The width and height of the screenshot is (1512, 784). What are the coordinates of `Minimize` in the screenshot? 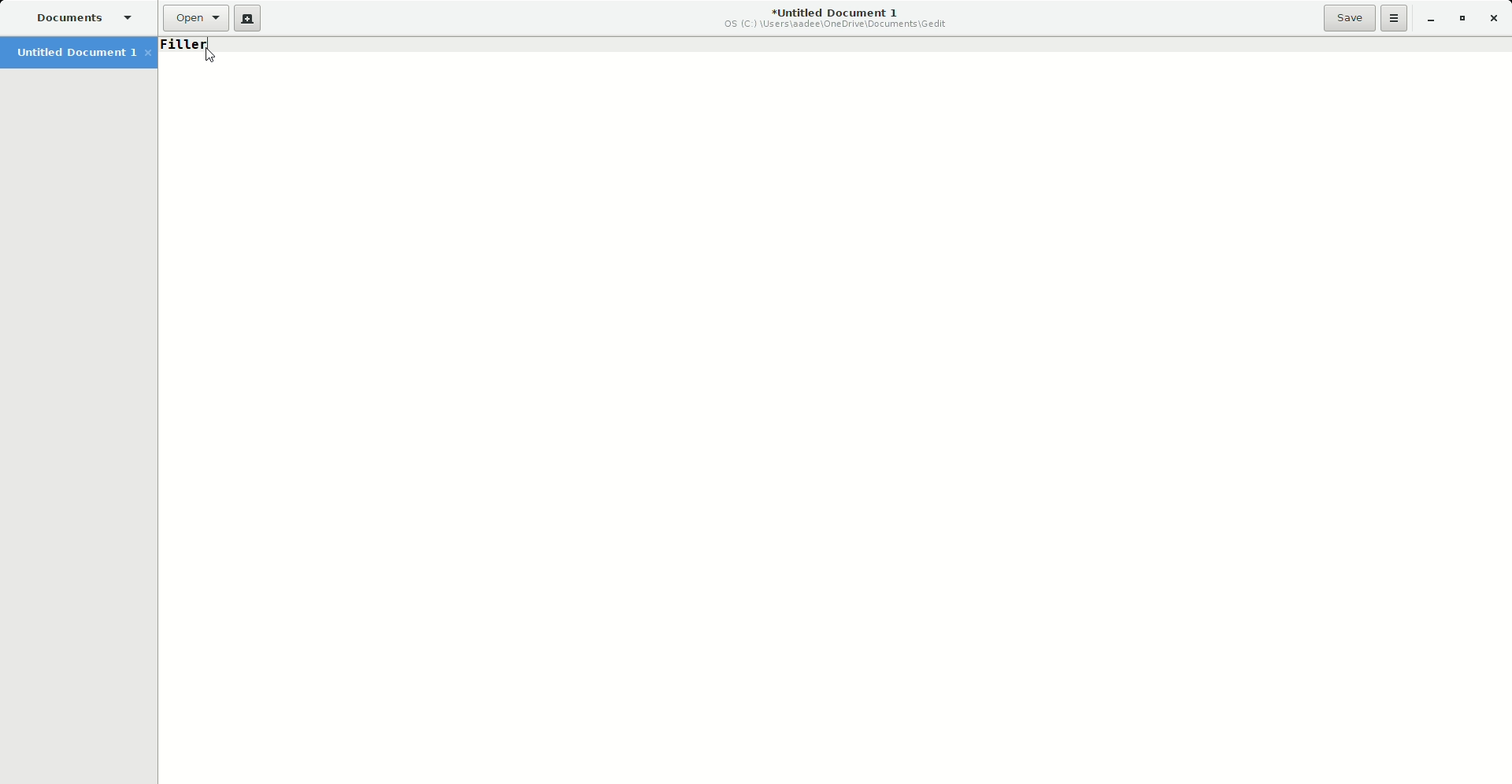 It's located at (1430, 20).